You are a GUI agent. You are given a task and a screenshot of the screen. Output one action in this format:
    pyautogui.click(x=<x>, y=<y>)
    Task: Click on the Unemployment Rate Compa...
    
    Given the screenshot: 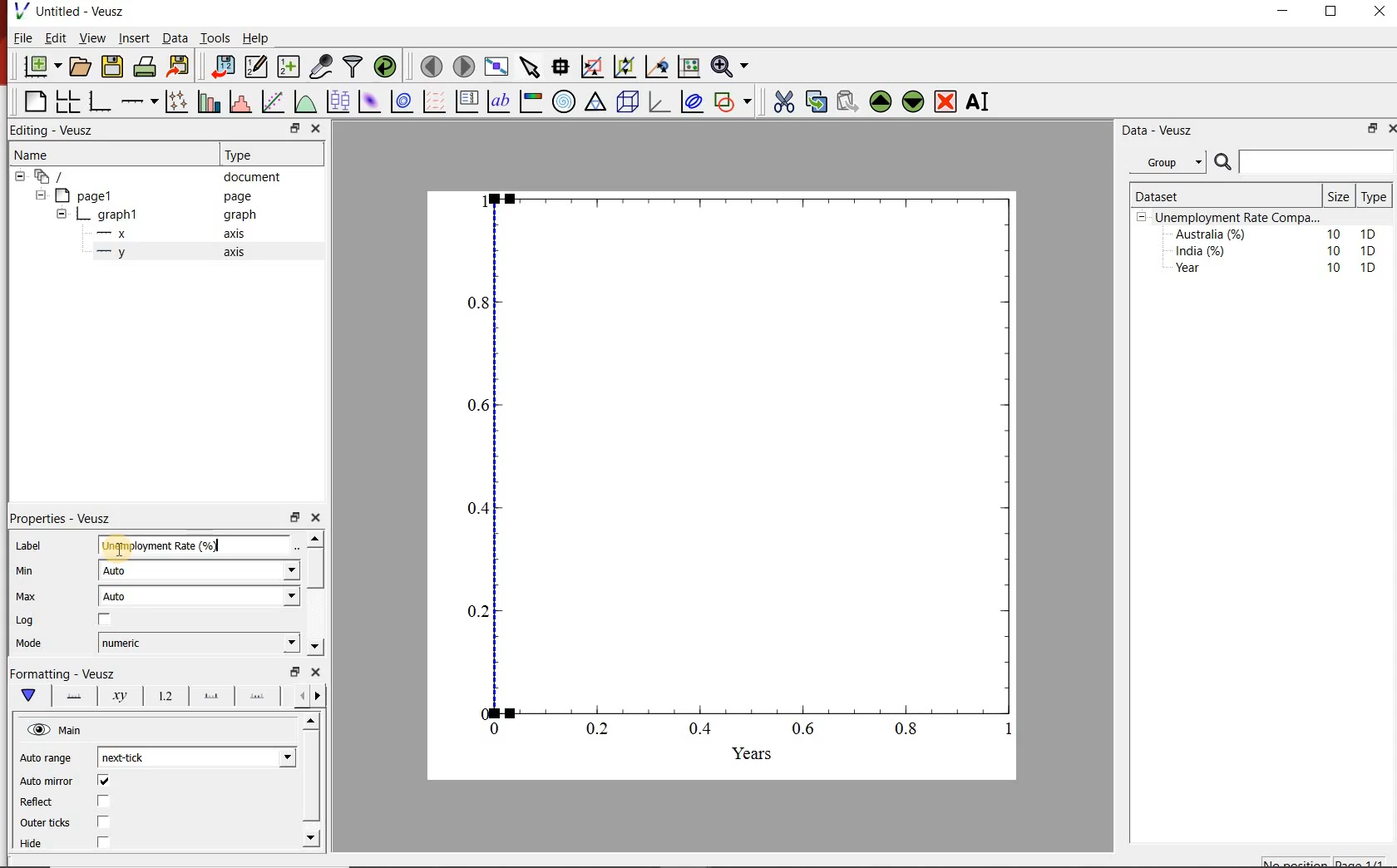 What is the action you would take?
    pyautogui.click(x=1239, y=218)
    